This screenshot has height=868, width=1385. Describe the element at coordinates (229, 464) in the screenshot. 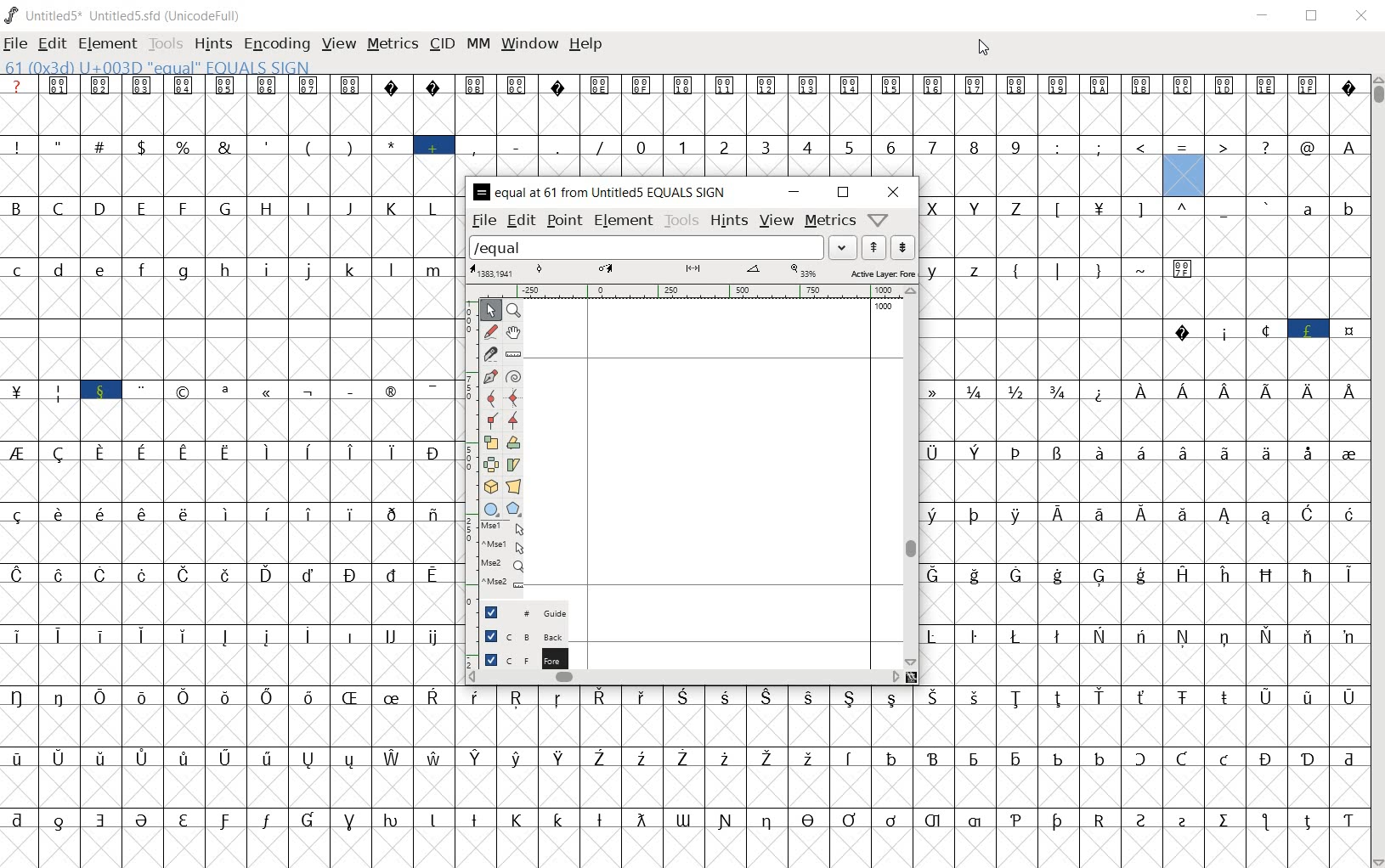

I see `glyphs` at that location.